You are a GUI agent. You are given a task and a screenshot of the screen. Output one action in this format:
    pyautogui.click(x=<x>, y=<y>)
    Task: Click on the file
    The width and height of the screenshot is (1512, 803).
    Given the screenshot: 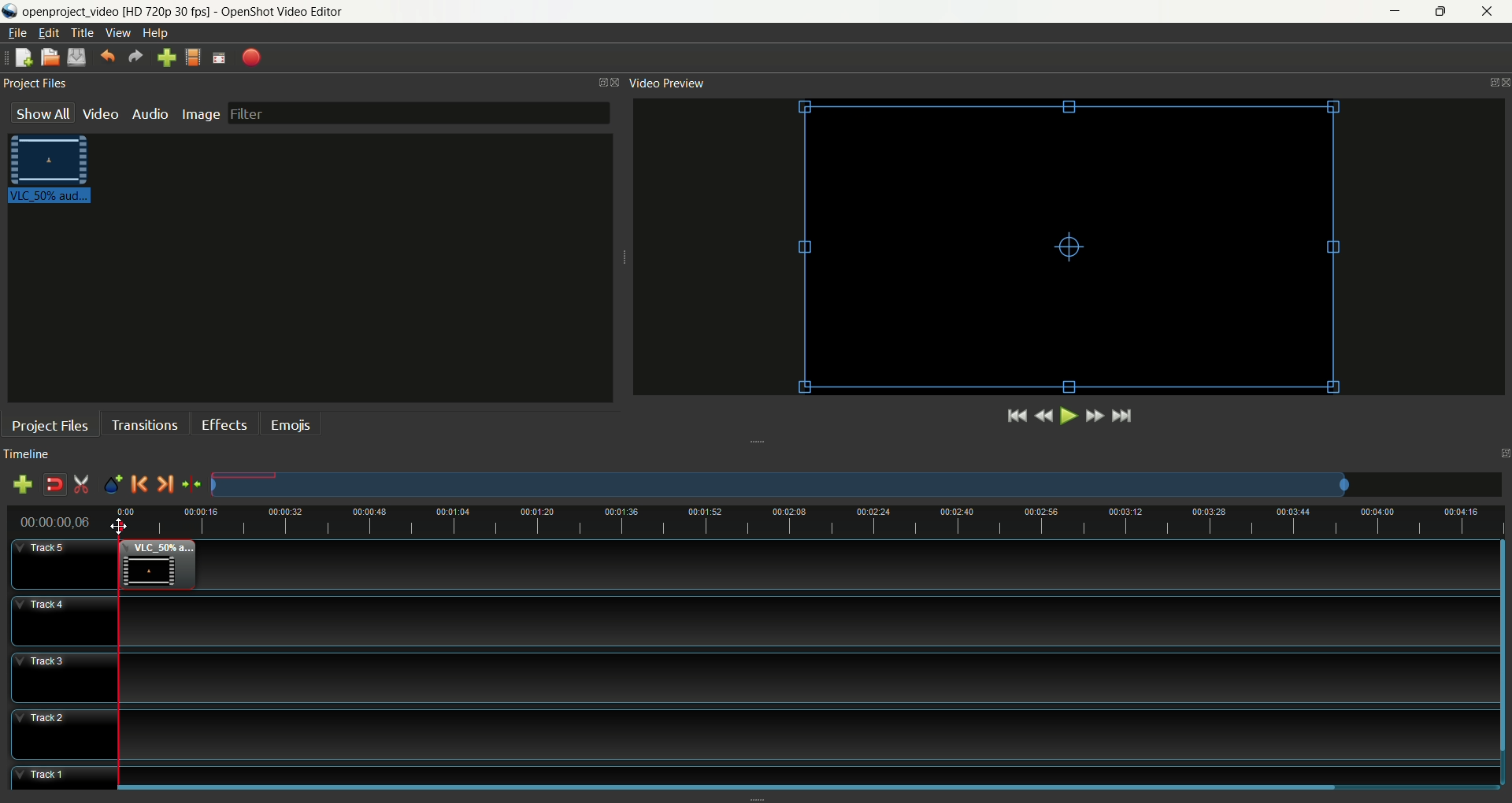 What is the action you would take?
    pyautogui.click(x=17, y=33)
    